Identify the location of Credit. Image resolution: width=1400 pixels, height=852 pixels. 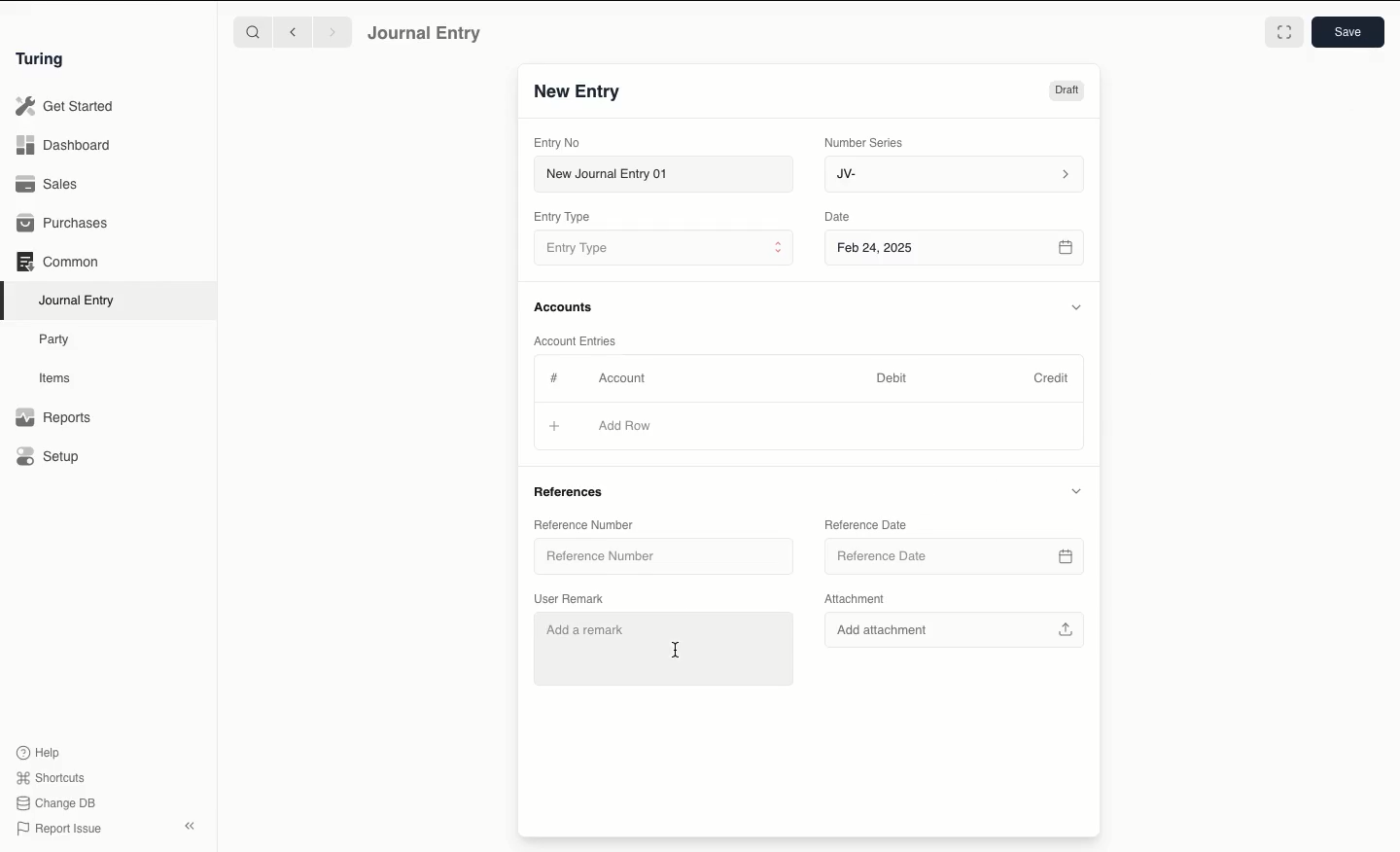
(1053, 378).